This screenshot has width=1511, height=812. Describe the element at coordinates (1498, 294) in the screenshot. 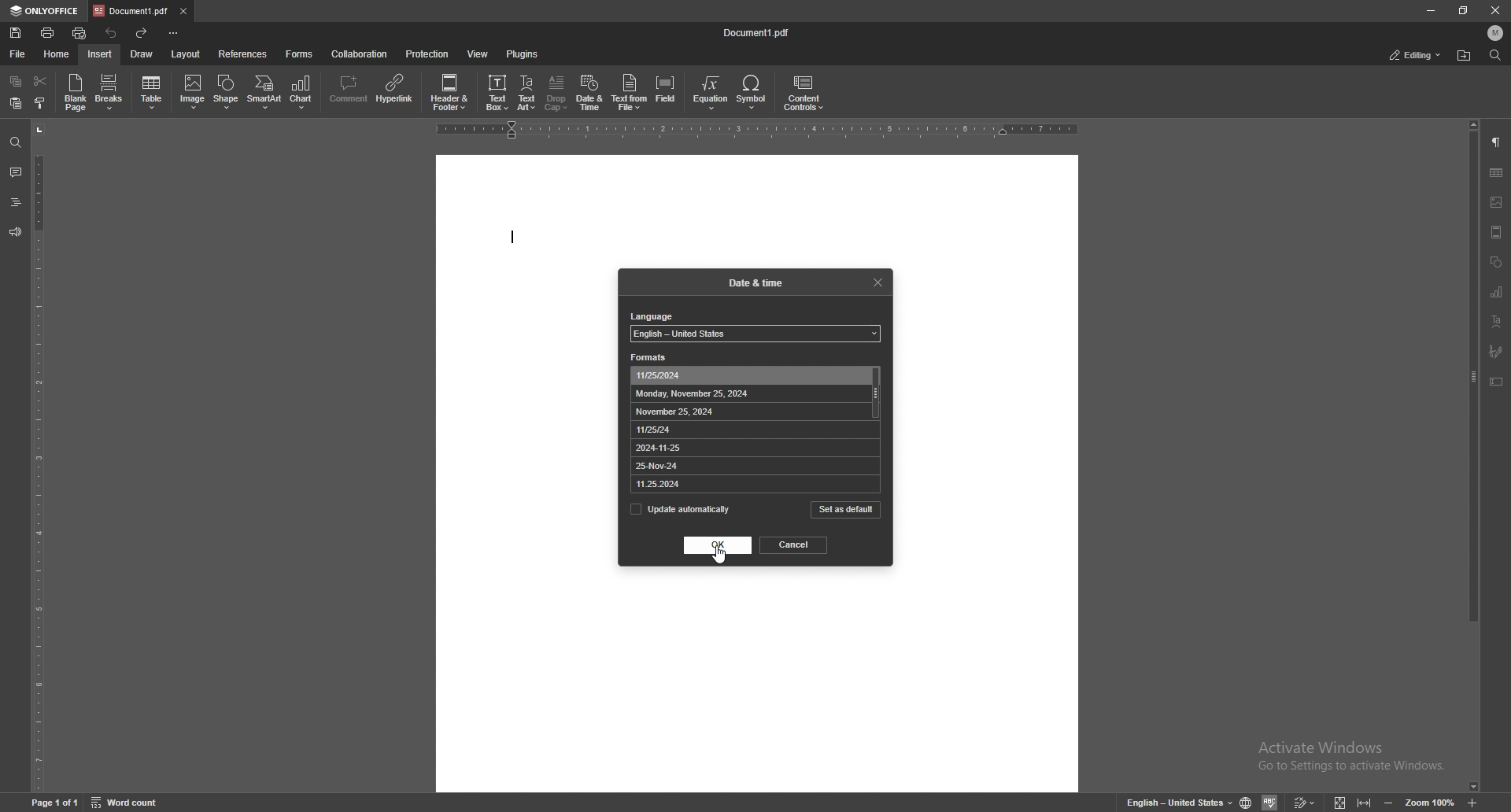

I see `chart` at that location.